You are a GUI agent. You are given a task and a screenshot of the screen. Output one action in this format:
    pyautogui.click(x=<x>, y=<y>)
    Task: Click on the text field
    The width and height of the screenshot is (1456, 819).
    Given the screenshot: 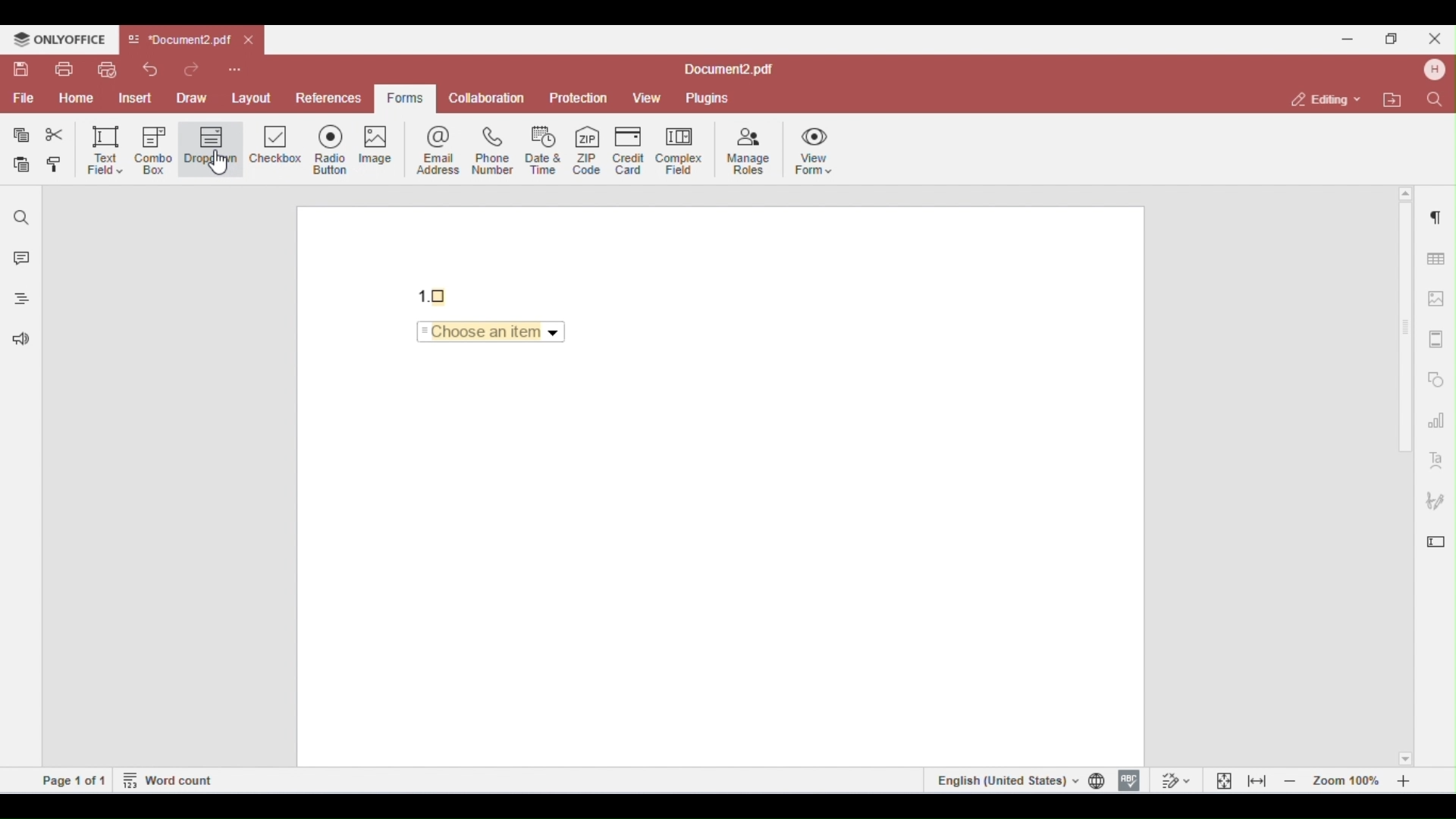 What is the action you would take?
    pyautogui.click(x=105, y=149)
    